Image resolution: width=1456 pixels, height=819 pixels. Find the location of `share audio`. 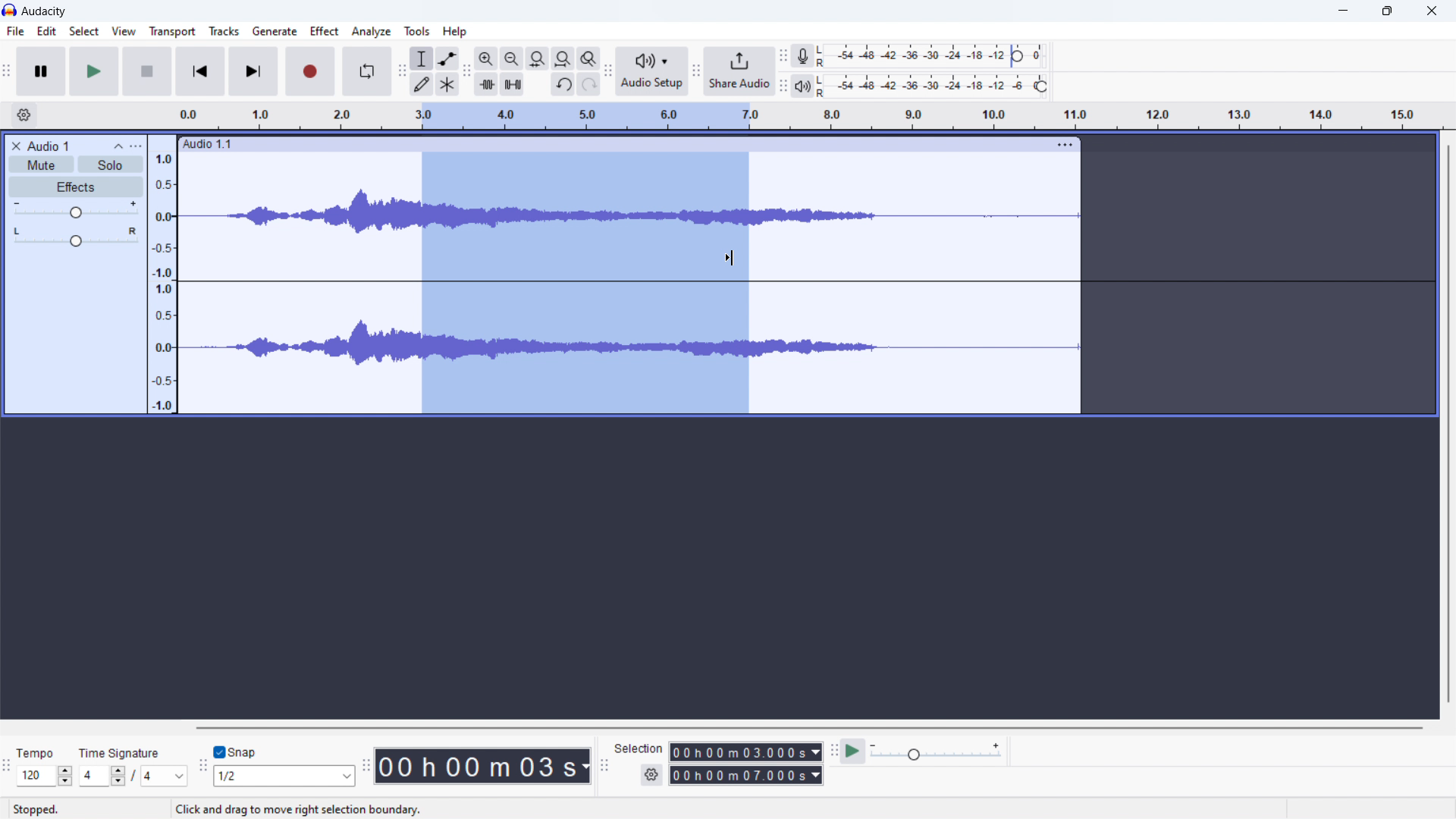

share audio is located at coordinates (740, 72).